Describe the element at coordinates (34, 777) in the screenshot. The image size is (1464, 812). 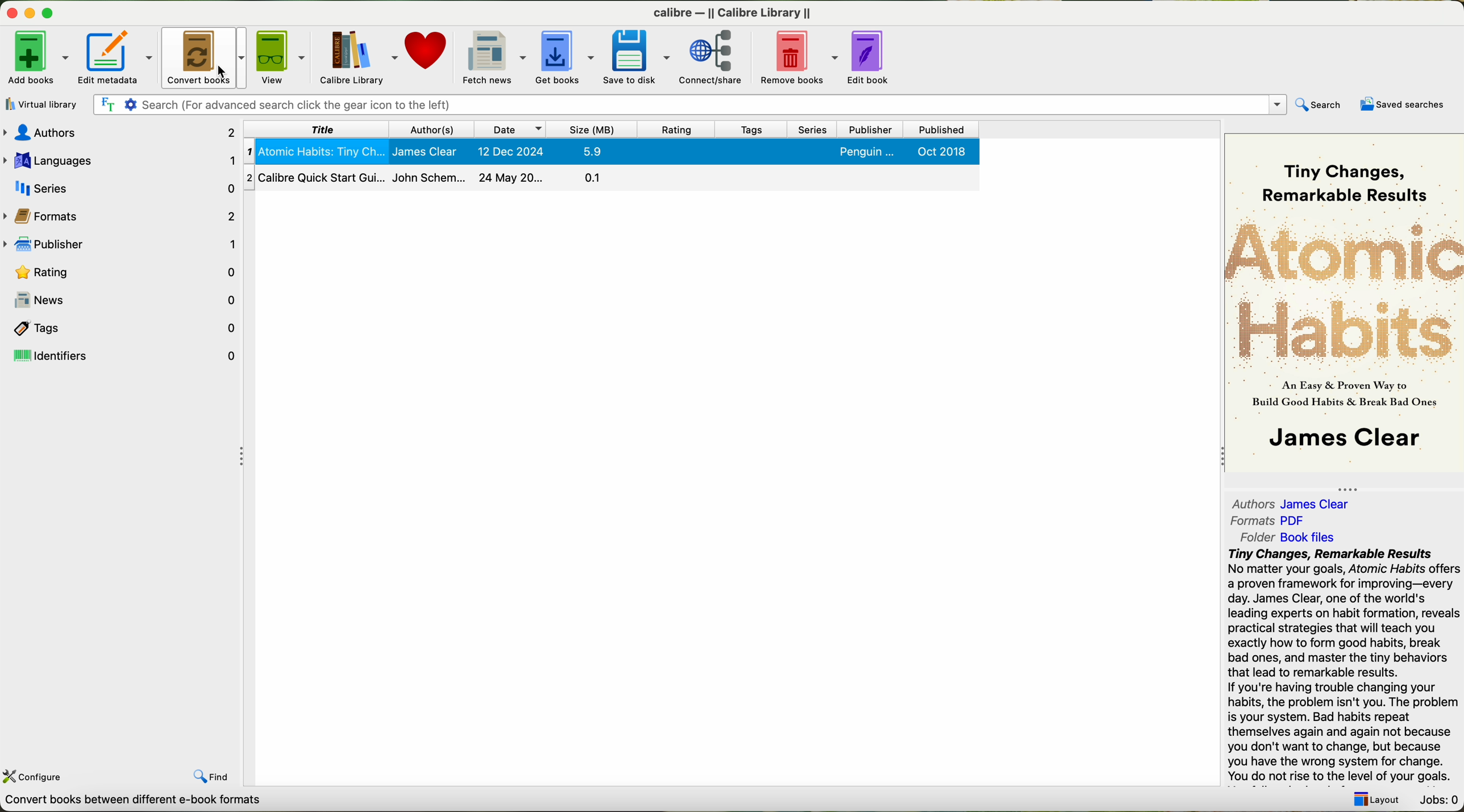
I see `configure` at that location.